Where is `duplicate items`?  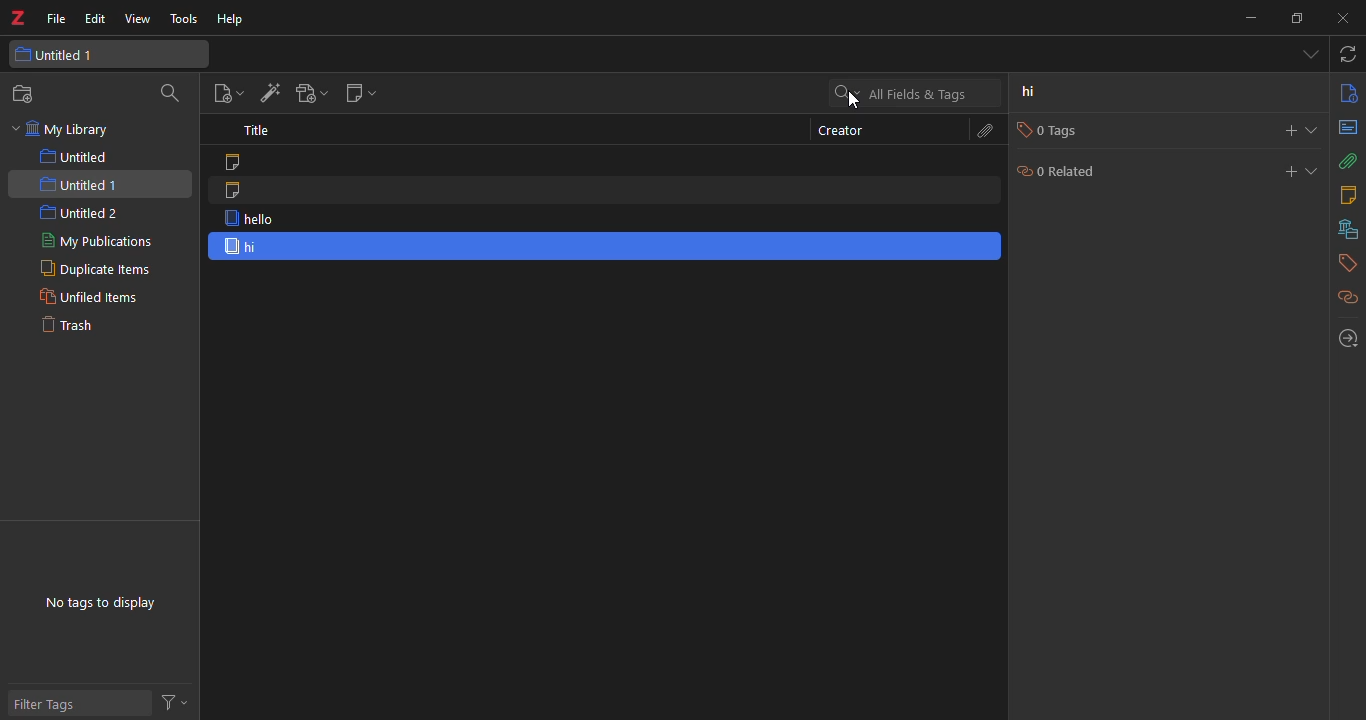 duplicate items is located at coordinates (97, 269).